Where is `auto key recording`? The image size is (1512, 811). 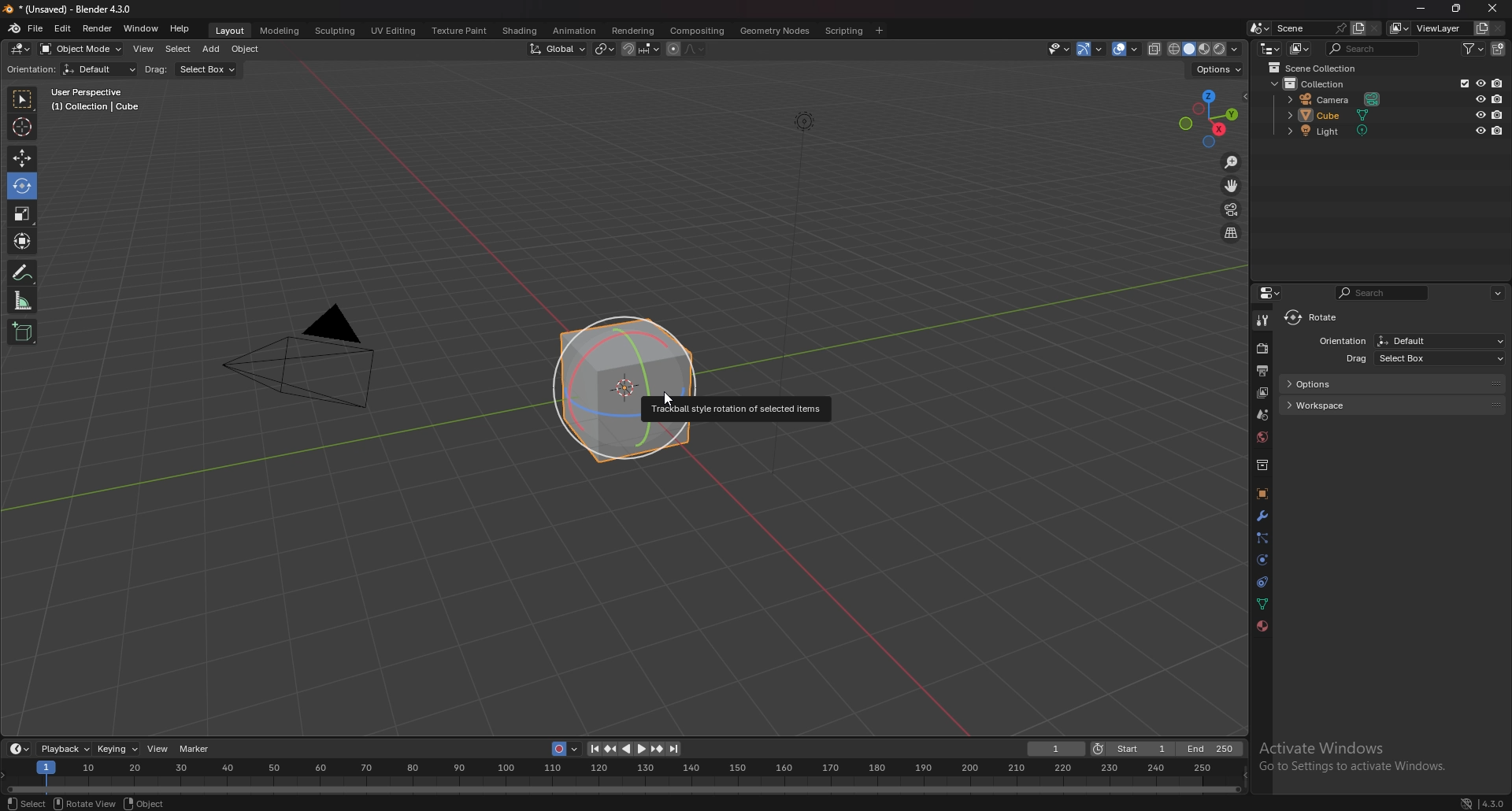
auto key recording is located at coordinates (567, 749).